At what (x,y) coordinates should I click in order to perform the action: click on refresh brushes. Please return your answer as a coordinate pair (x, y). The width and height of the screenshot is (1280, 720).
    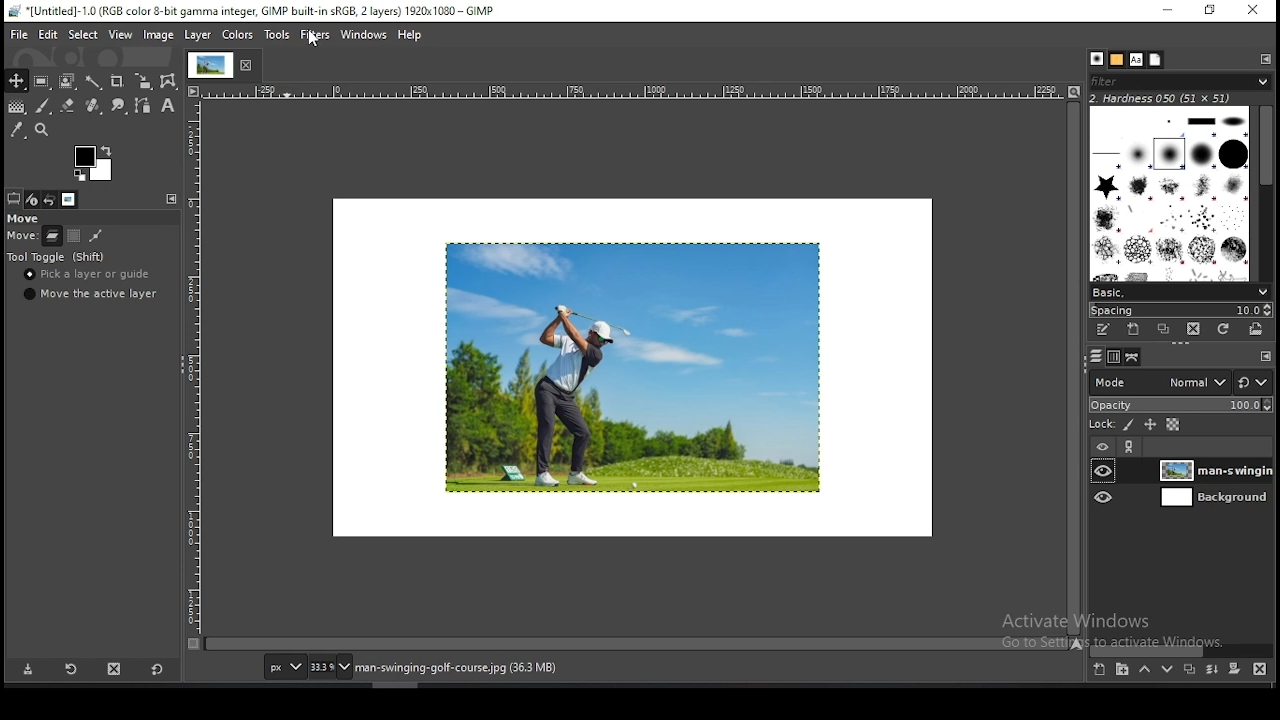
    Looking at the image, I should click on (1225, 330).